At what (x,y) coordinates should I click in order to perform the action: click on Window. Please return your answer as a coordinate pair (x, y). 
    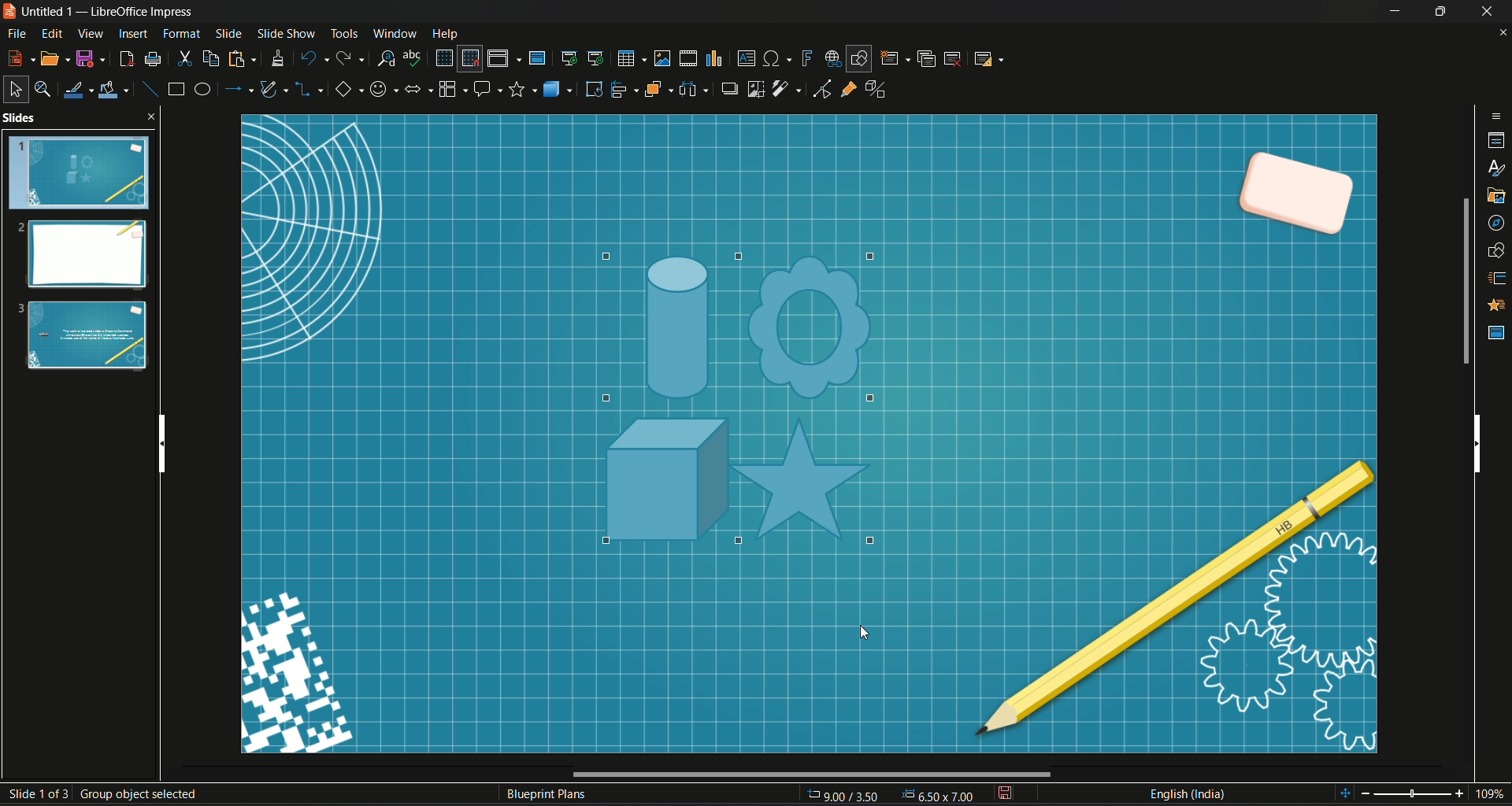
    Looking at the image, I should click on (391, 32).